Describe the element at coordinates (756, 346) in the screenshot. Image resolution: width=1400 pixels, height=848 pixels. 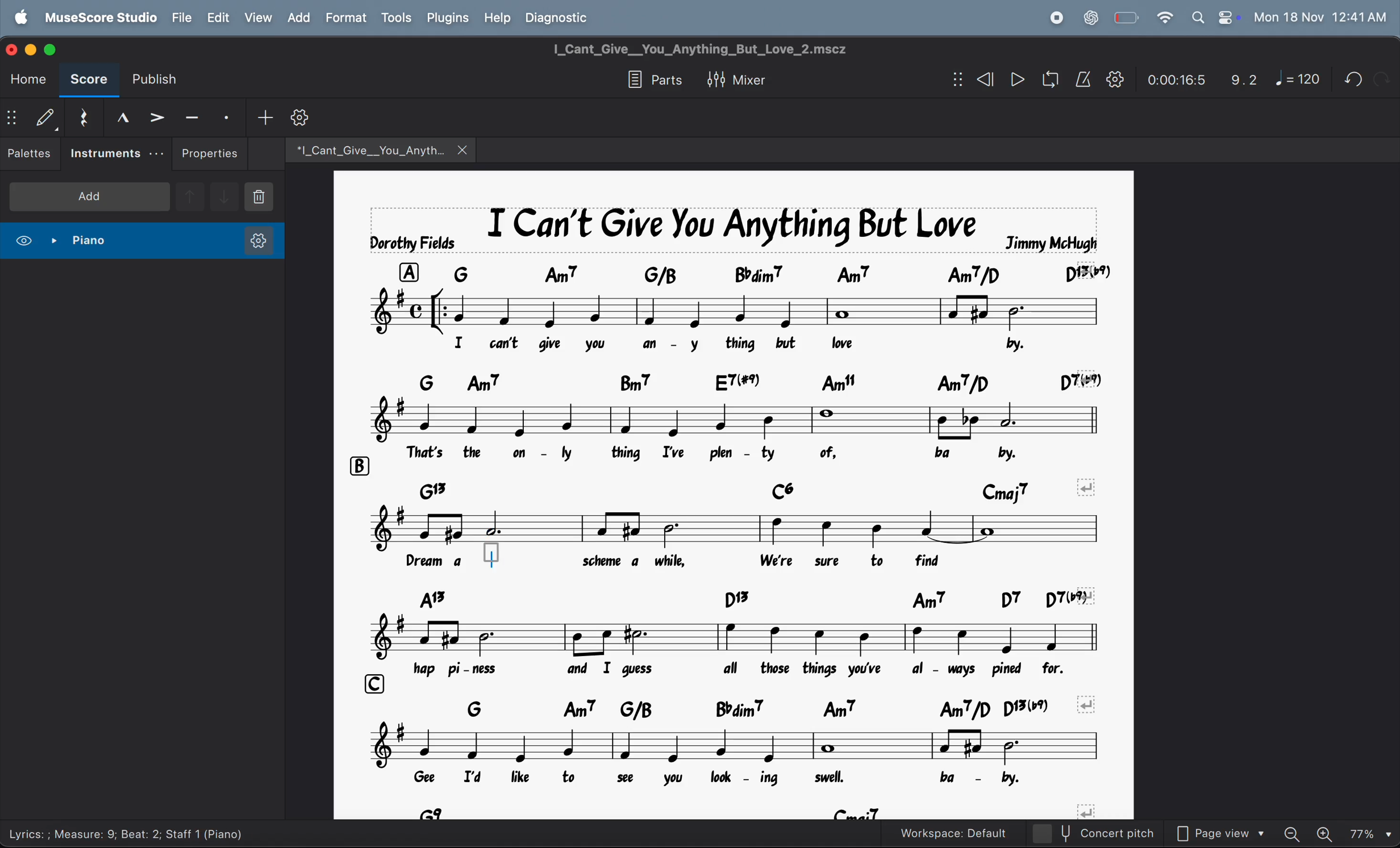
I see `lyrics` at that location.